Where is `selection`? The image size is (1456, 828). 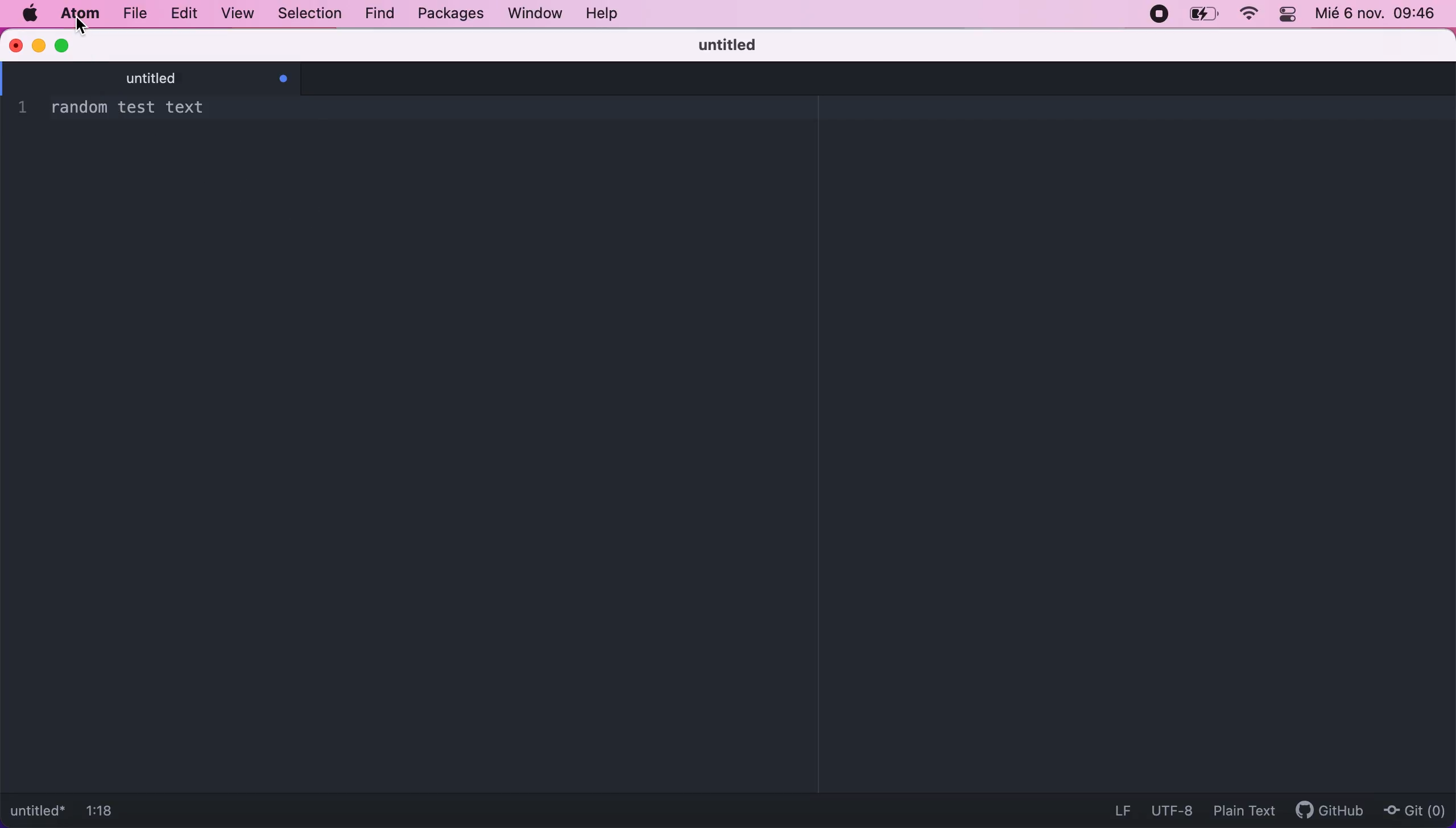 selection is located at coordinates (309, 14).